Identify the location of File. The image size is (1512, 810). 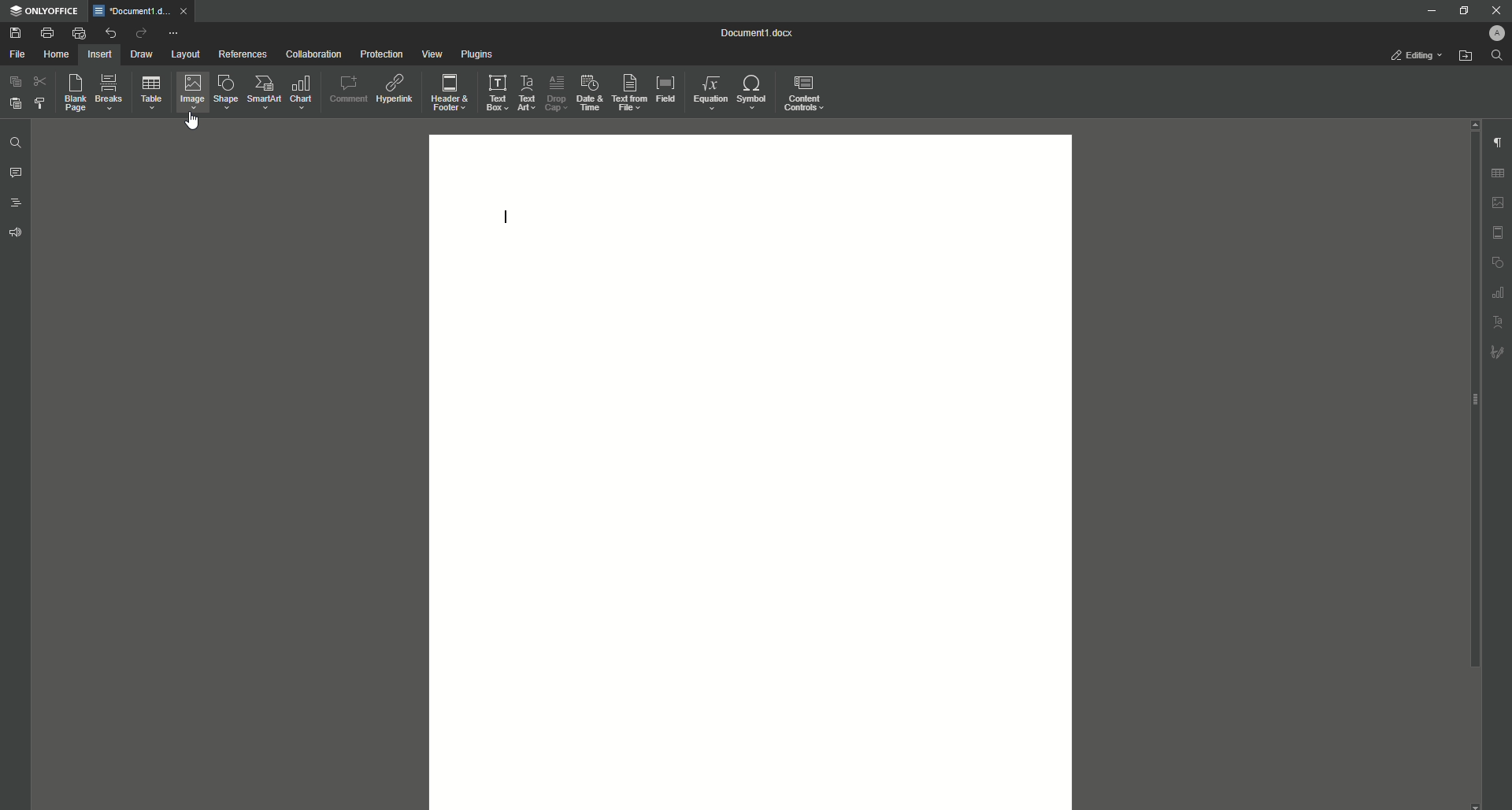
(17, 55).